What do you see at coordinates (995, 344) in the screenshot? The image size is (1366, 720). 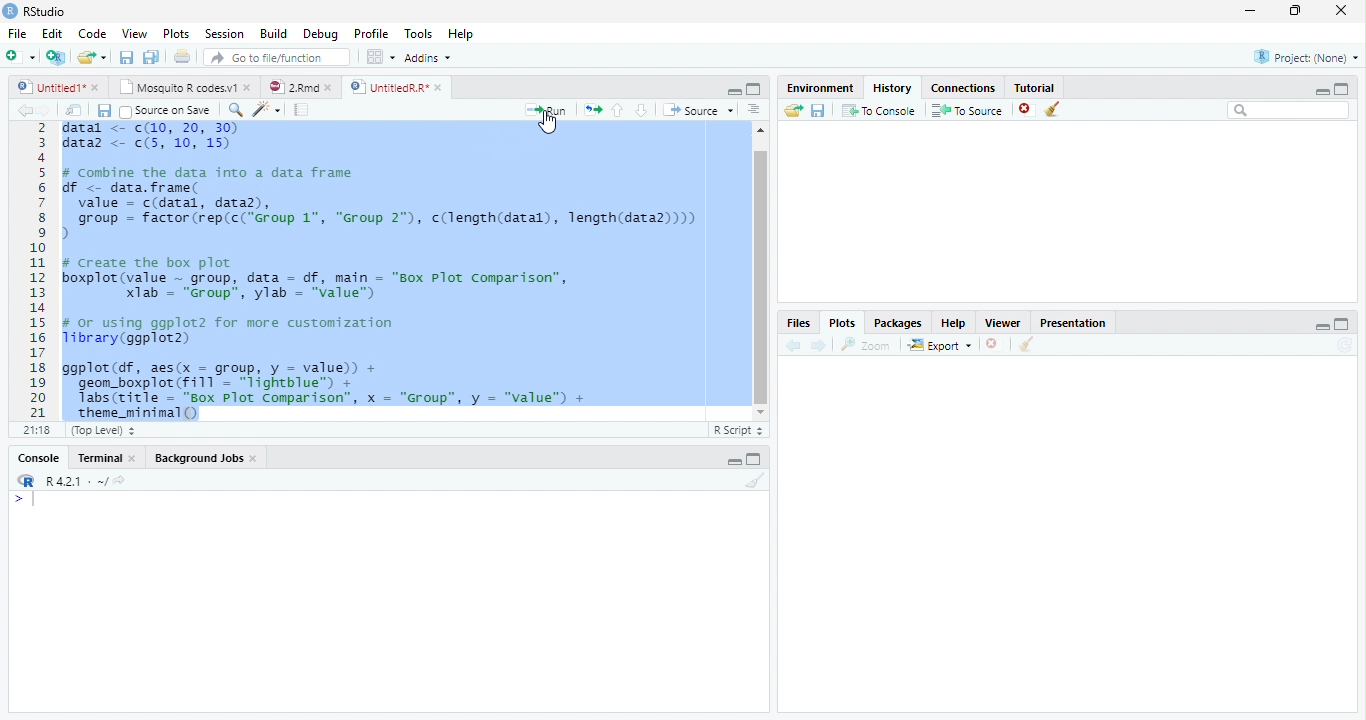 I see `Remove current plot` at bounding box center [995, 344].